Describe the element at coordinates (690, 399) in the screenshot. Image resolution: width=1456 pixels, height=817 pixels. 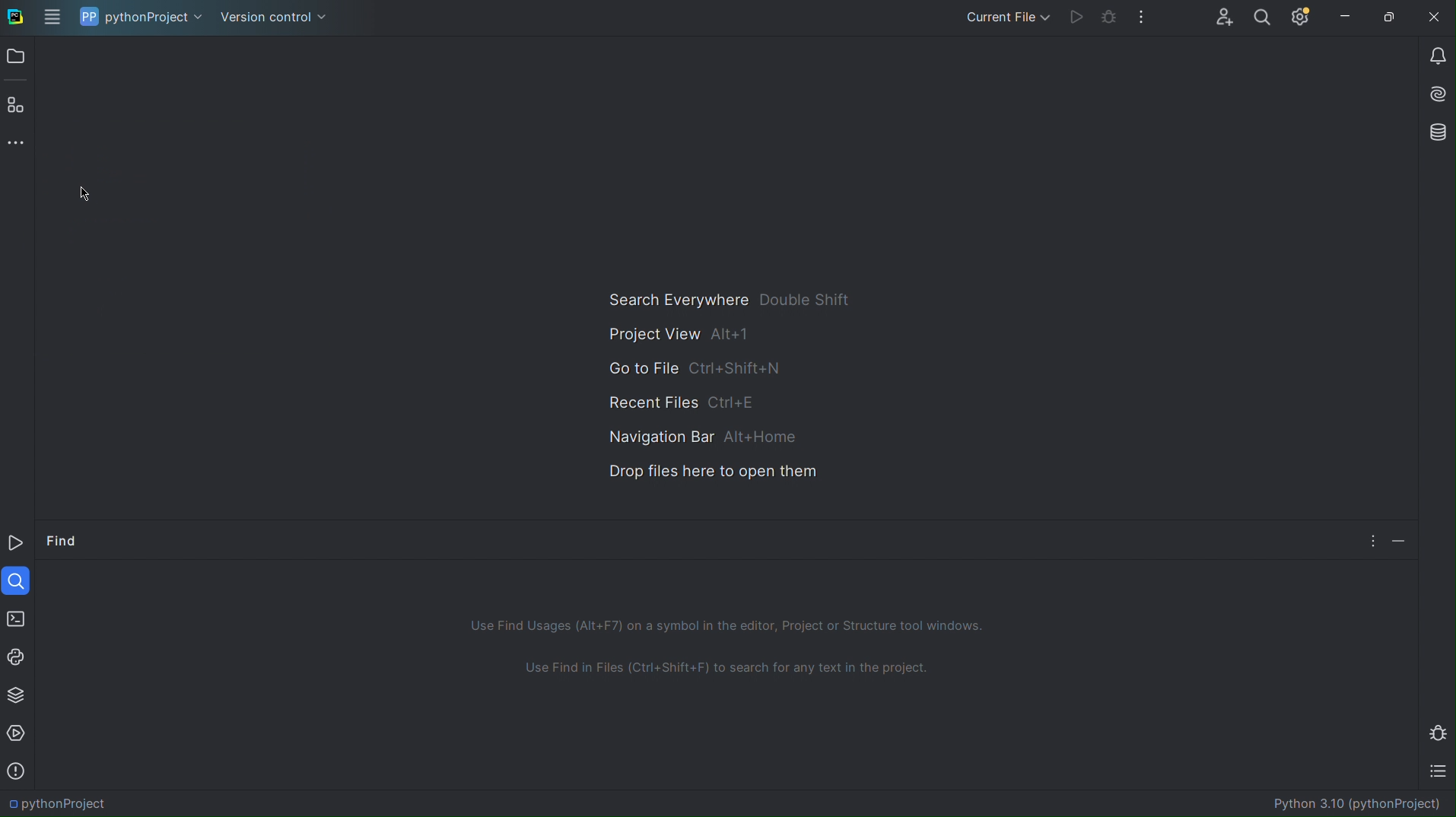
I see `Recent Files` at that location.